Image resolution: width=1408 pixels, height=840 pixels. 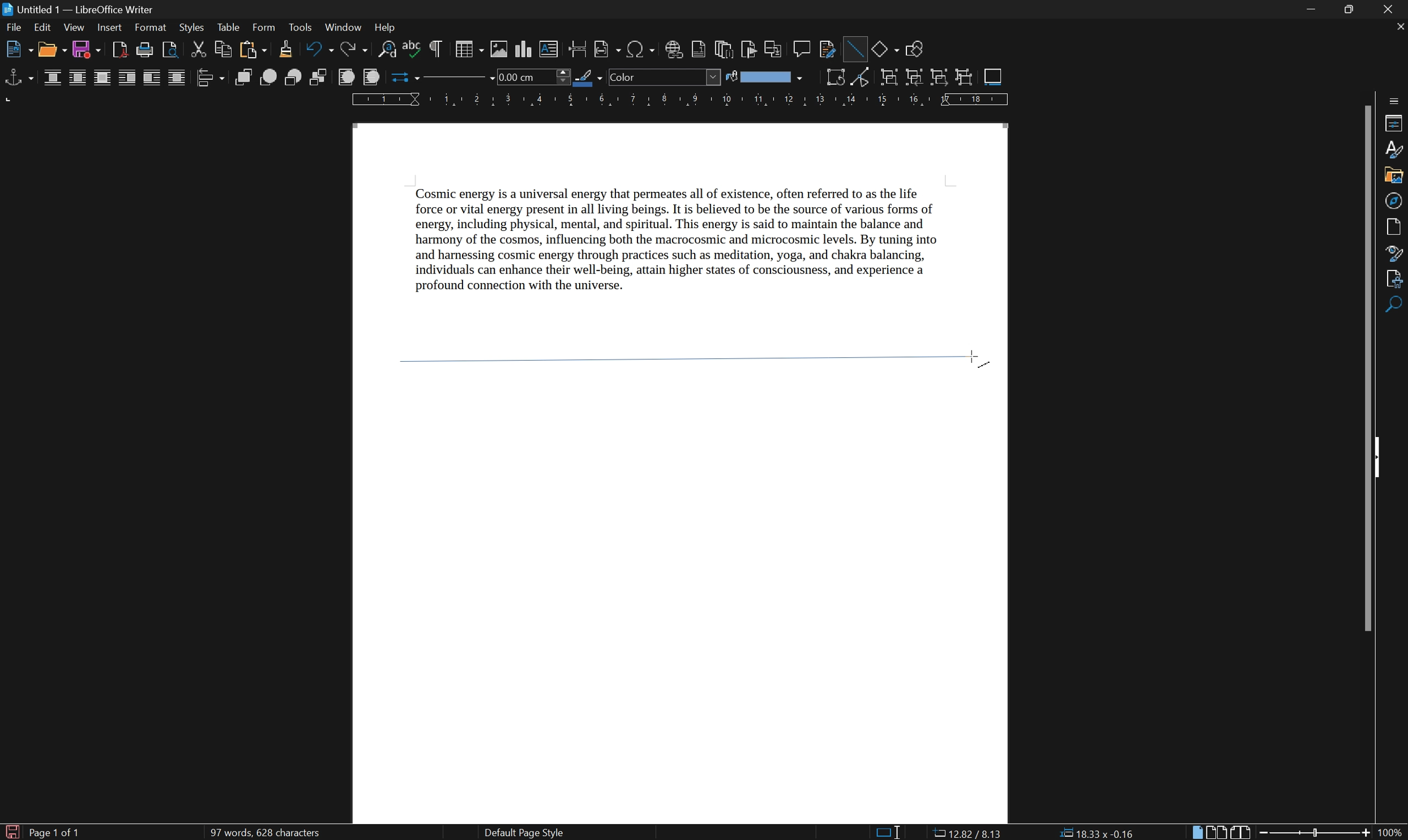 I want to click on line color, so click(x=589, y=78).